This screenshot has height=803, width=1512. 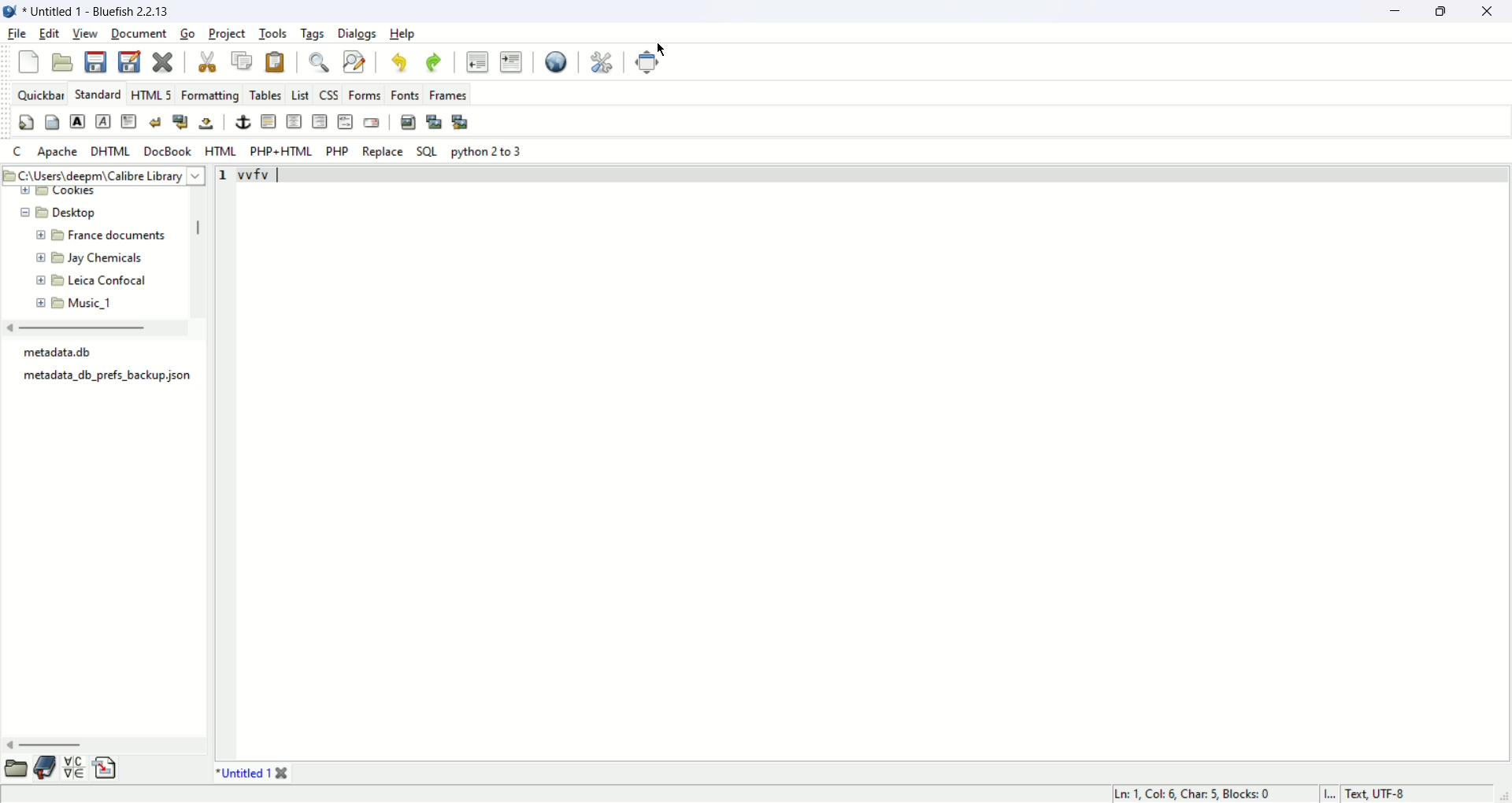 What do you see at coordinates (109, 283) in the screenshot?
I see `Leica Confocal` at bounding box center [109, 283].